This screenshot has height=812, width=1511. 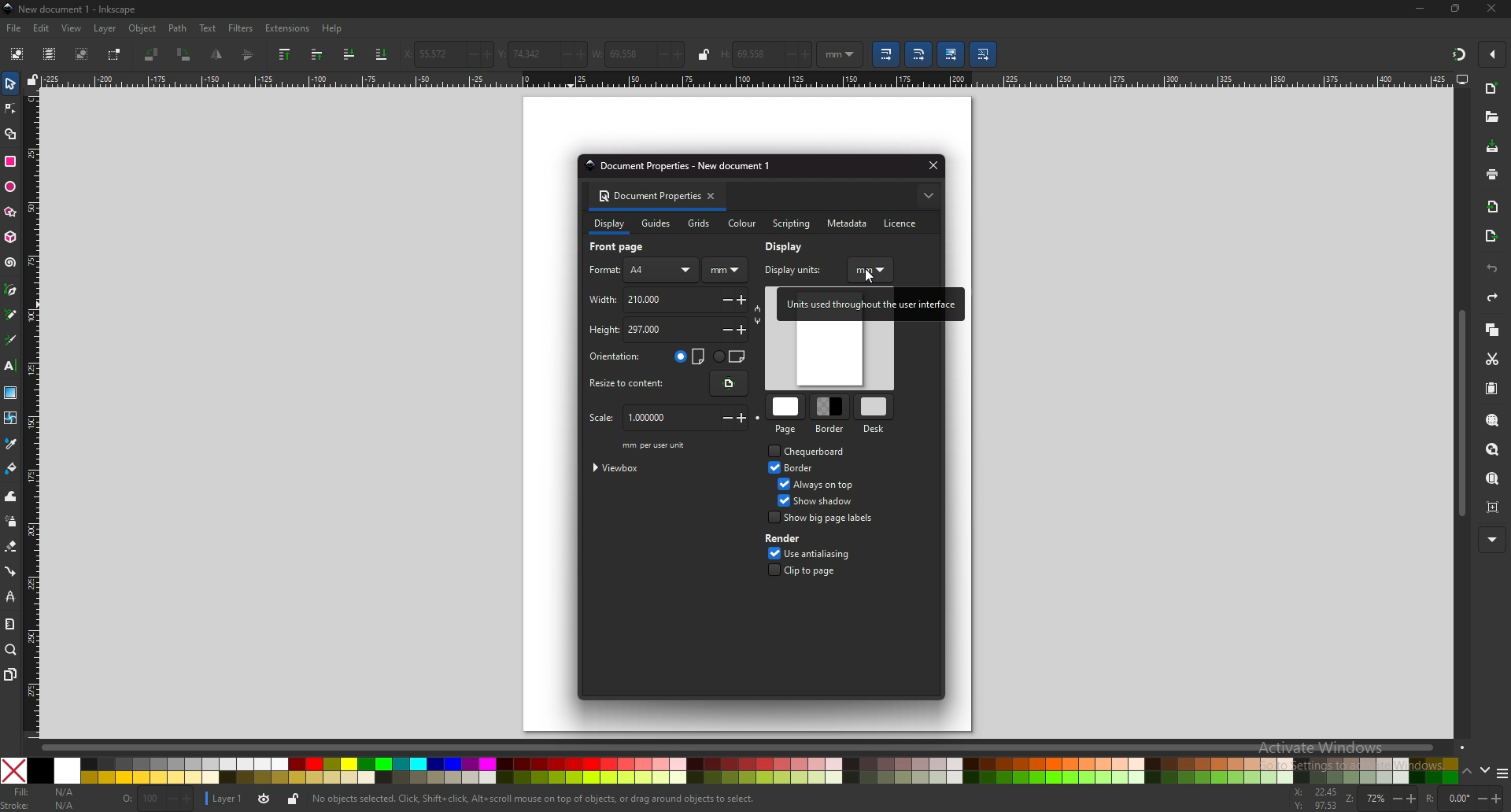 I want to click on nothing selected, so click(x=157, y=800).